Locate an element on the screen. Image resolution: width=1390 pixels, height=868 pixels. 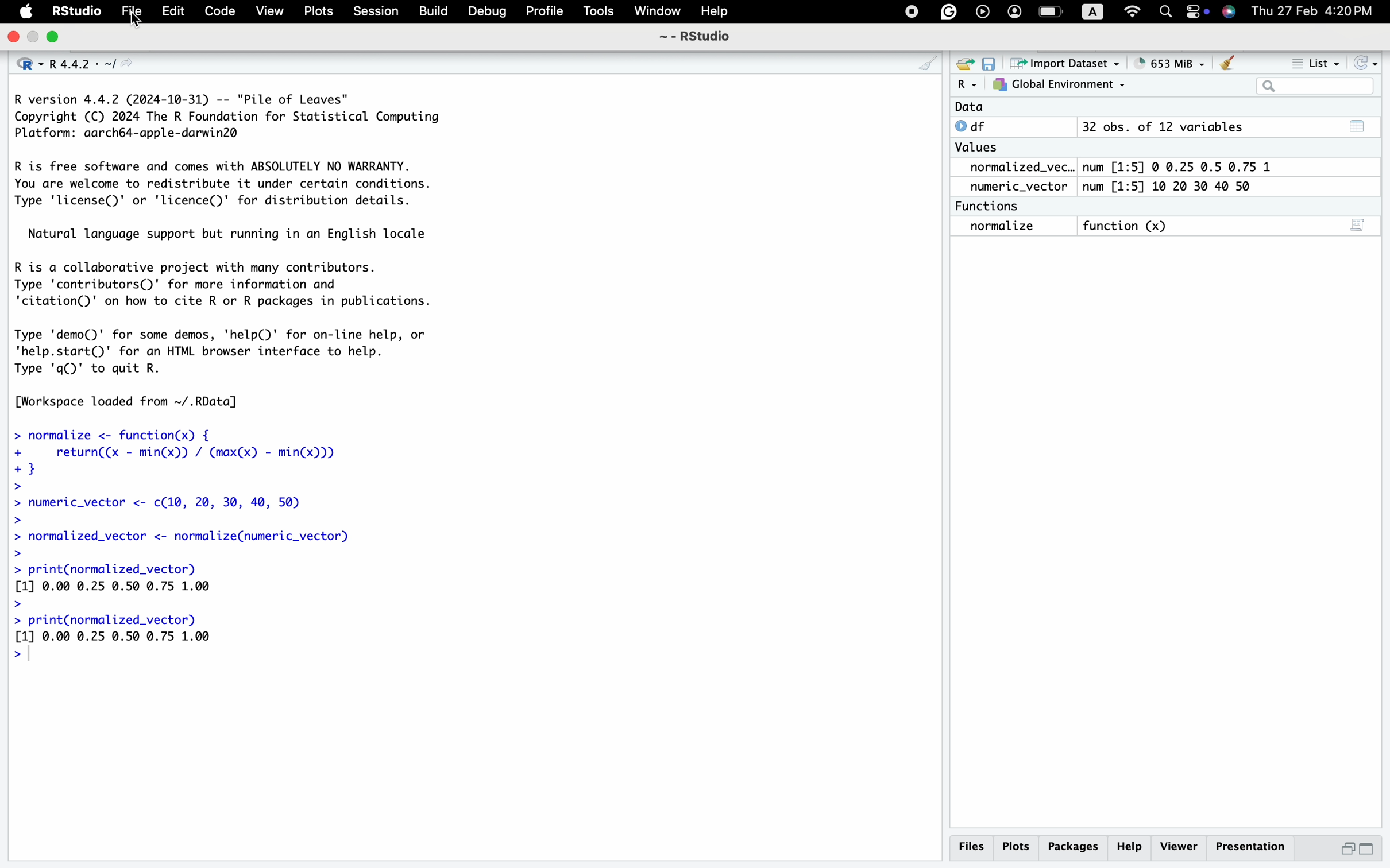
df is located at coordinates (975, 126).